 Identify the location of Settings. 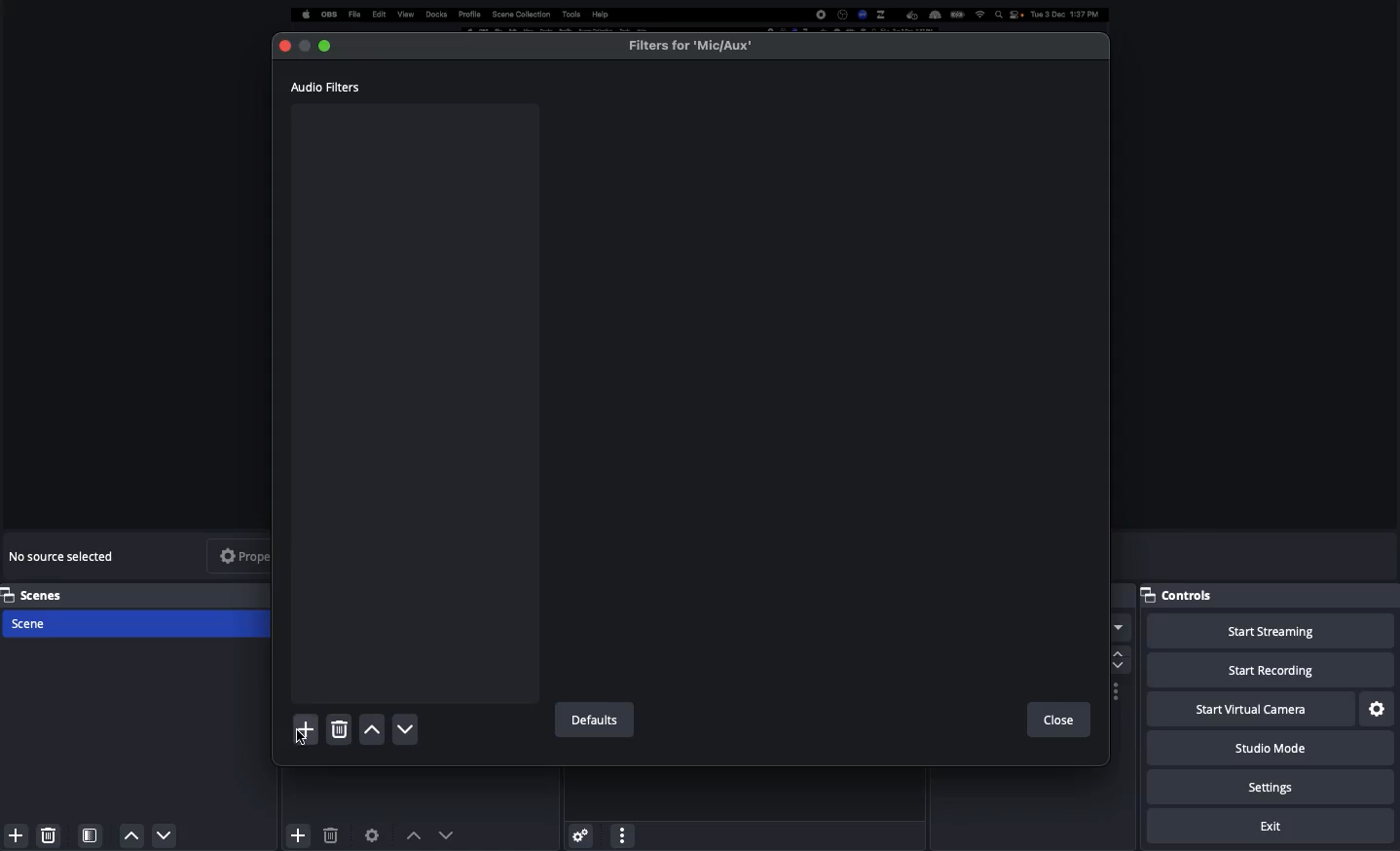
(579, 832).